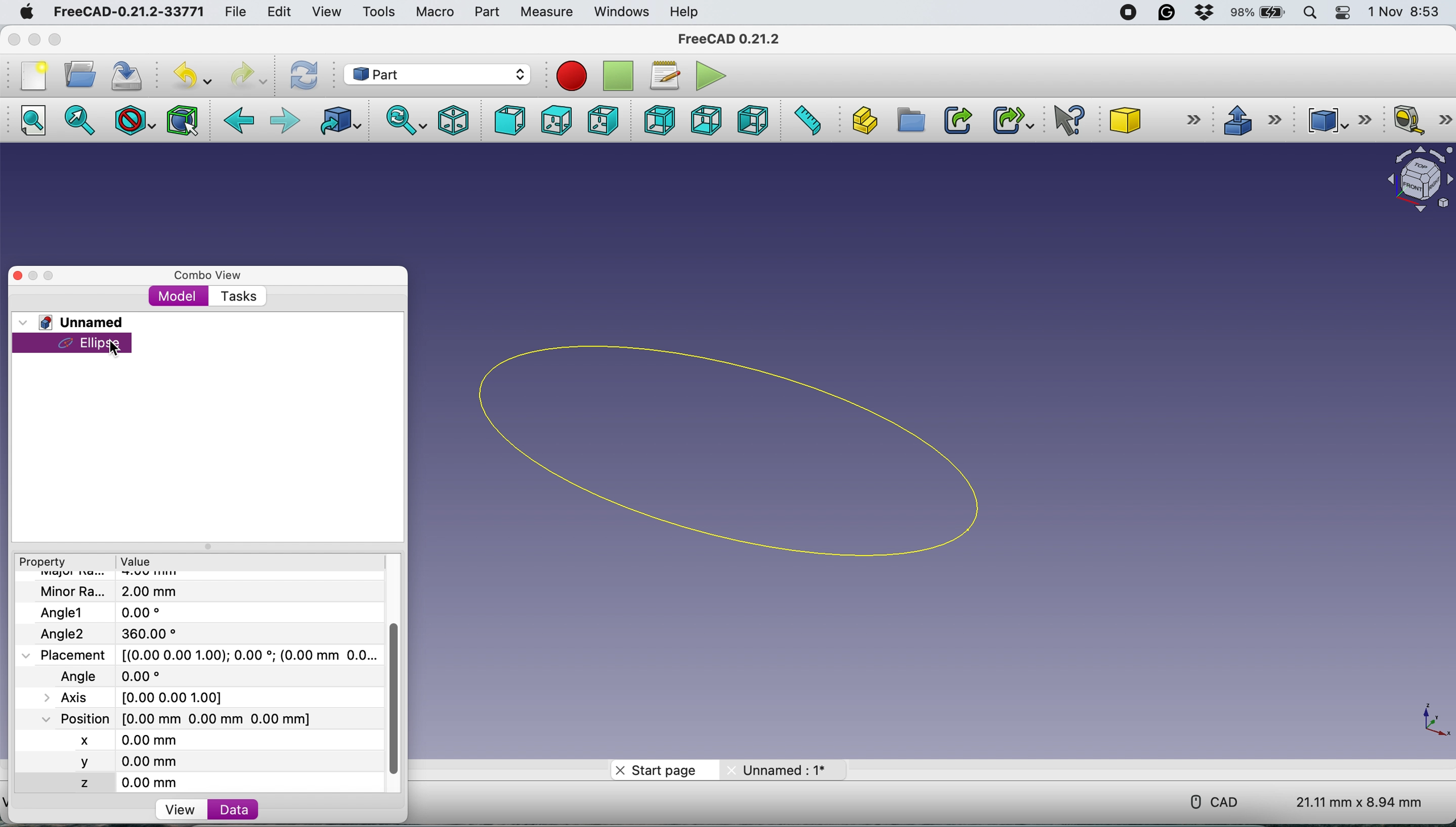  I want to click on combo view, so click(207, 275).